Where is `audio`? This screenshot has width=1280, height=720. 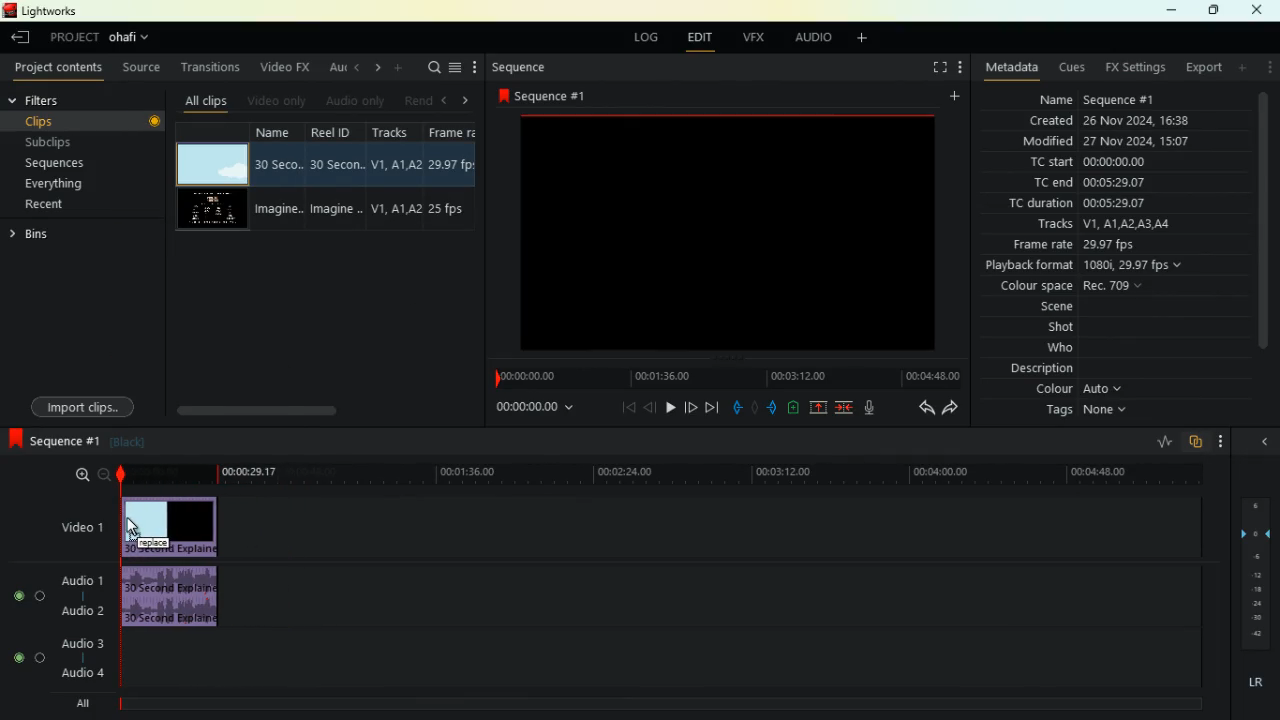
audio is located at coordinates (819, 38).